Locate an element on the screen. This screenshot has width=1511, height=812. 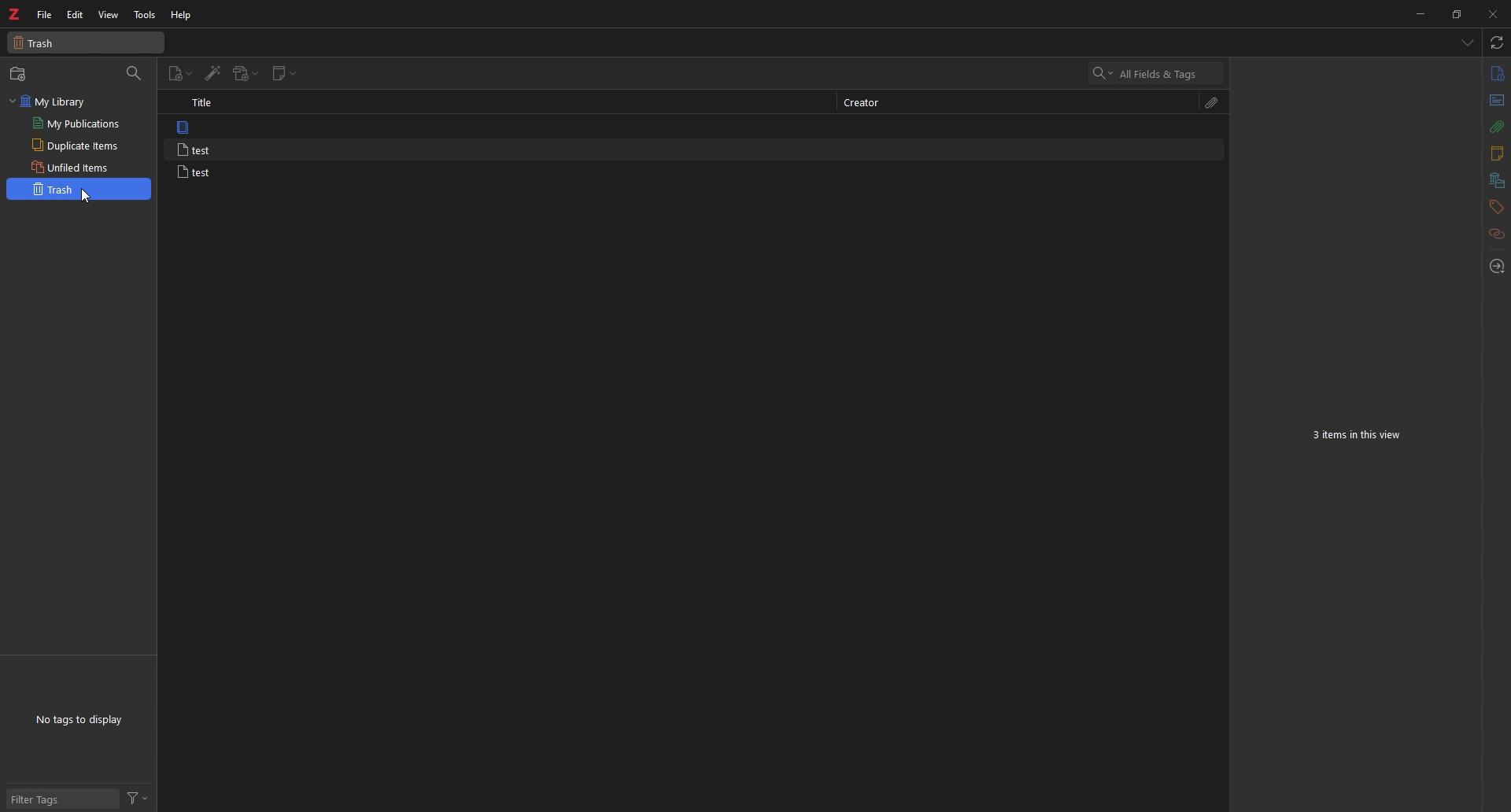
note is located at coordinates (256, 150).